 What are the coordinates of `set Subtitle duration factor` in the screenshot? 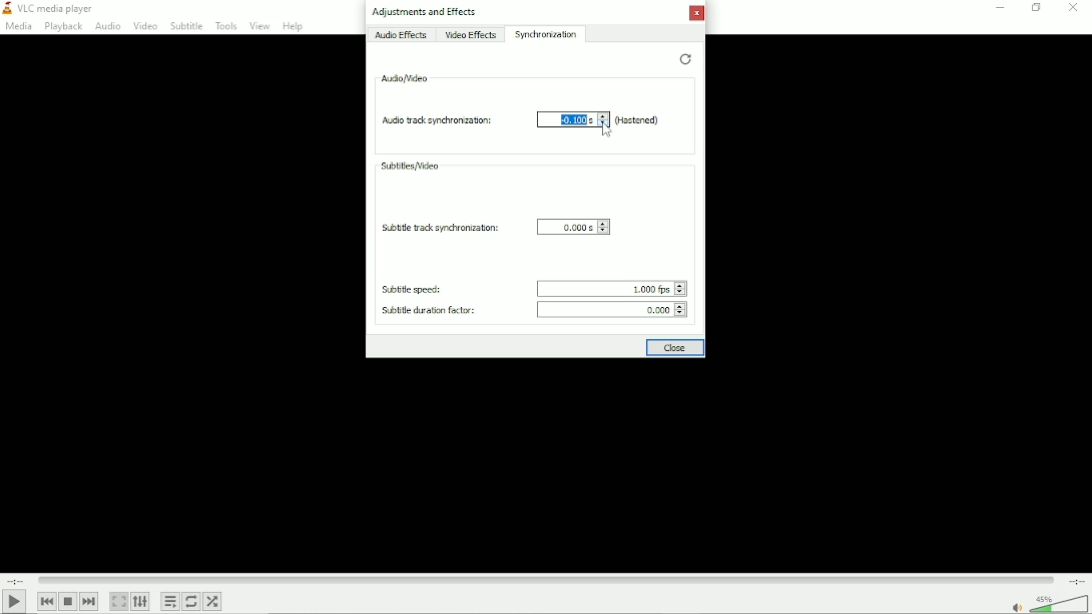 It's located at (604, 309).